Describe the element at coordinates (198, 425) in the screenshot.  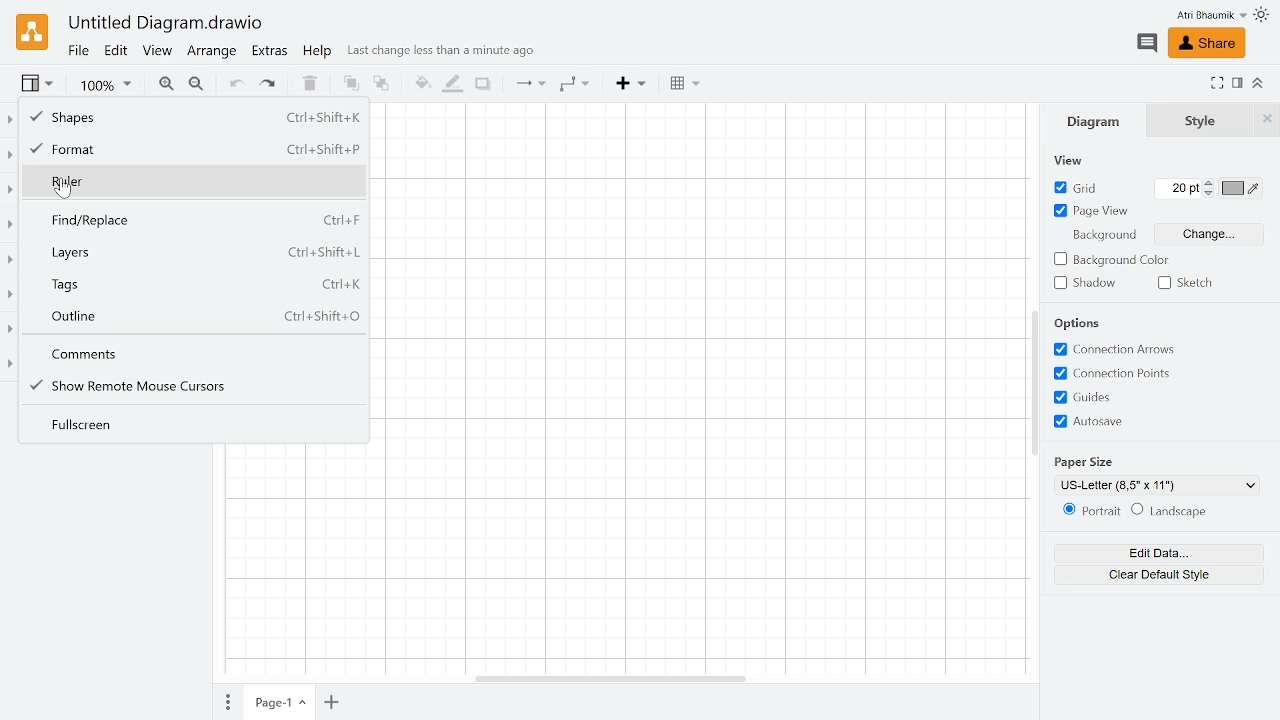
I see `Fullscreen` at that location.